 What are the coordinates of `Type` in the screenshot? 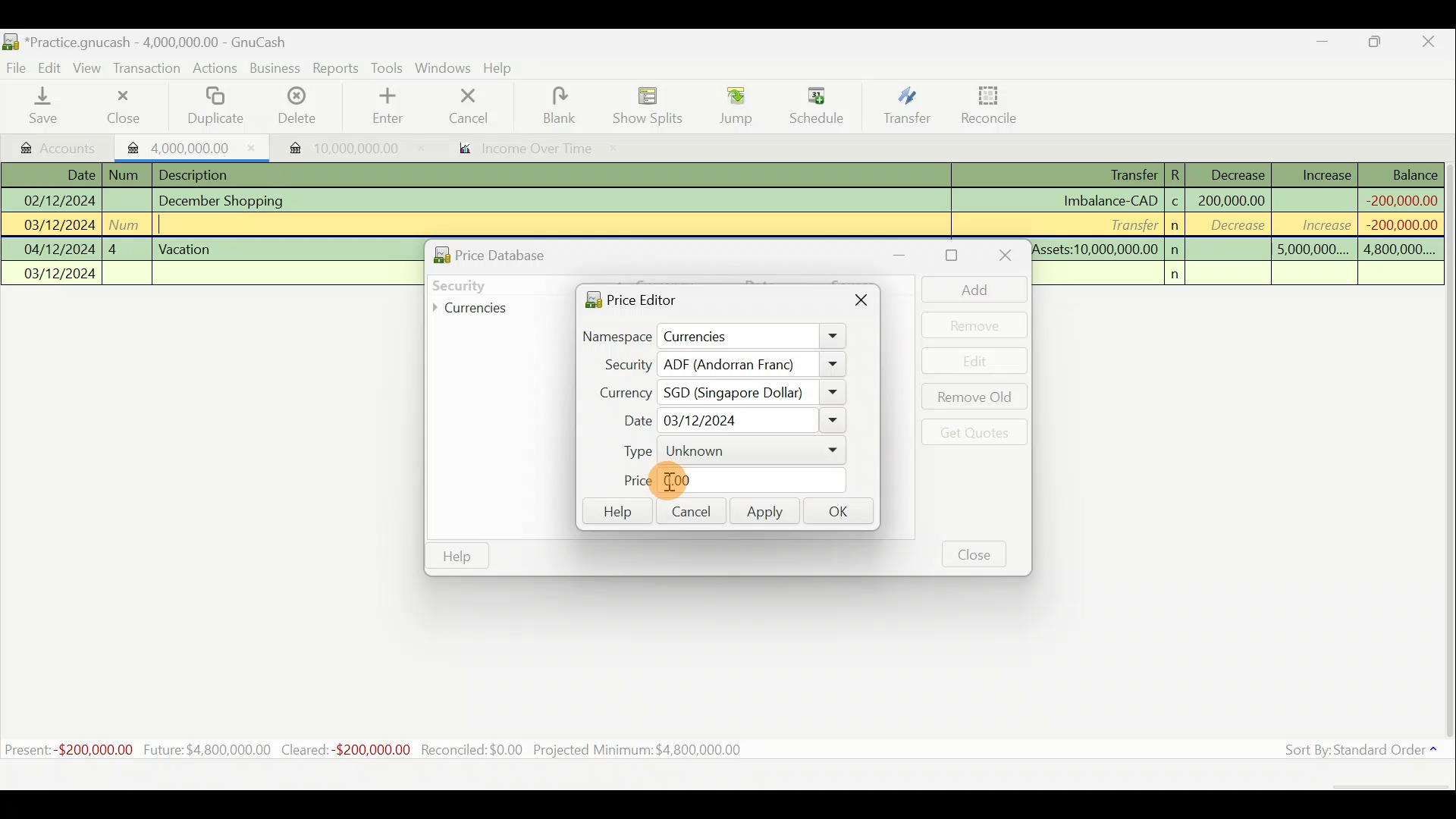 It's located at (724, 451).